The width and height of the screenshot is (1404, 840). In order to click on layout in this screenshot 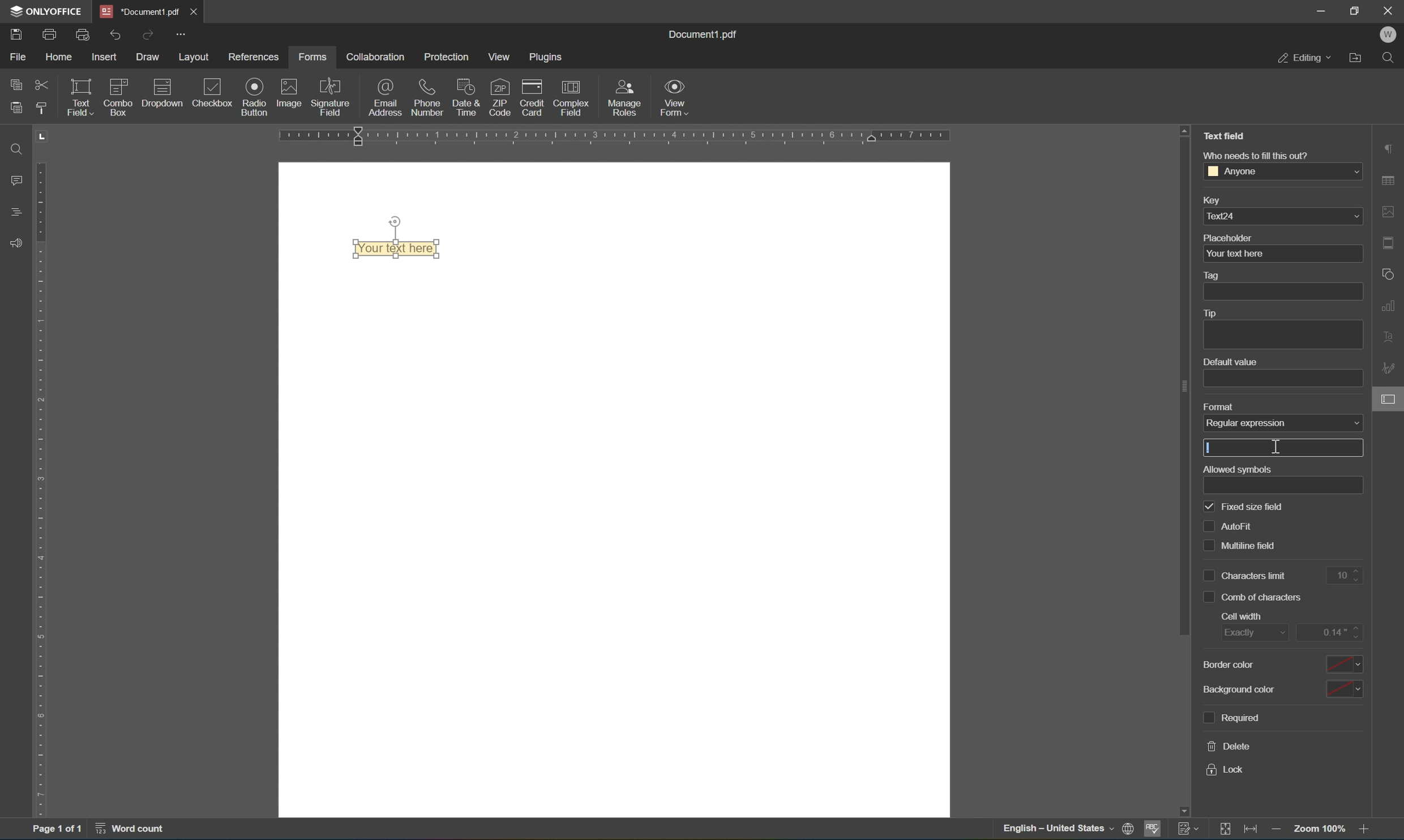, I will do `click(196, 58)`.